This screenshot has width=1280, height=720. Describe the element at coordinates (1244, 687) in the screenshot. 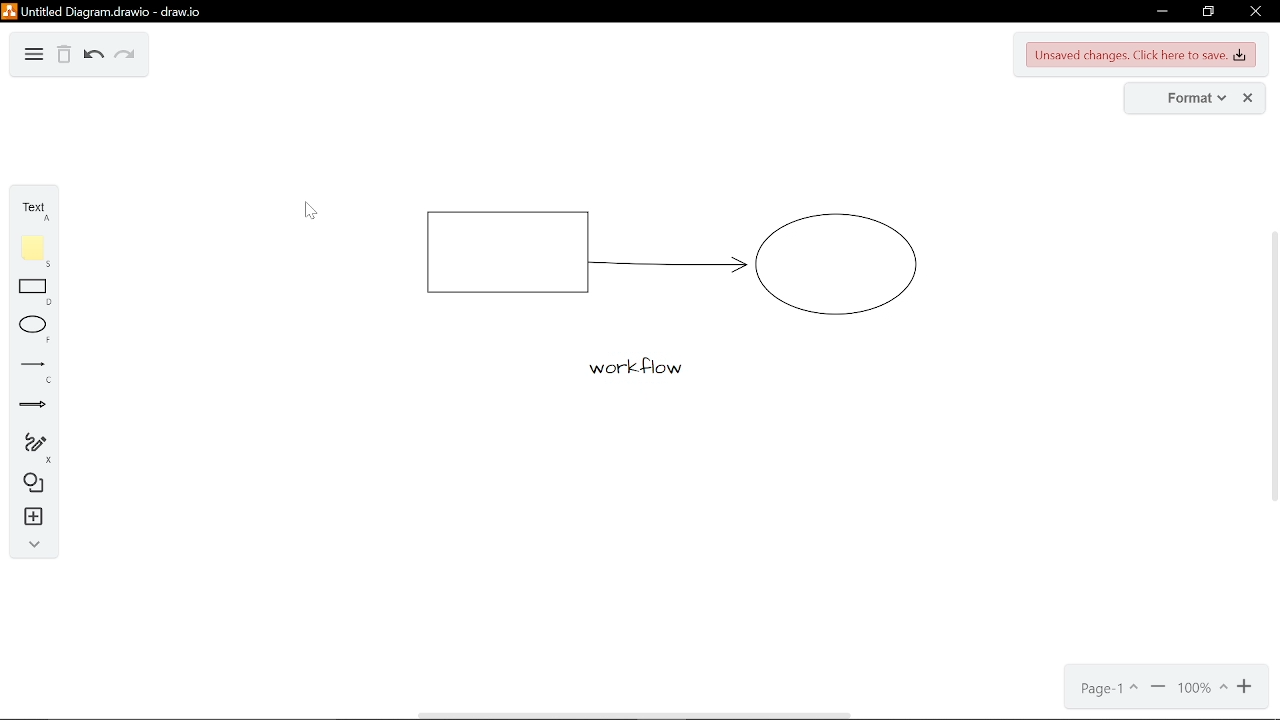

I see `zoom out` at that location.